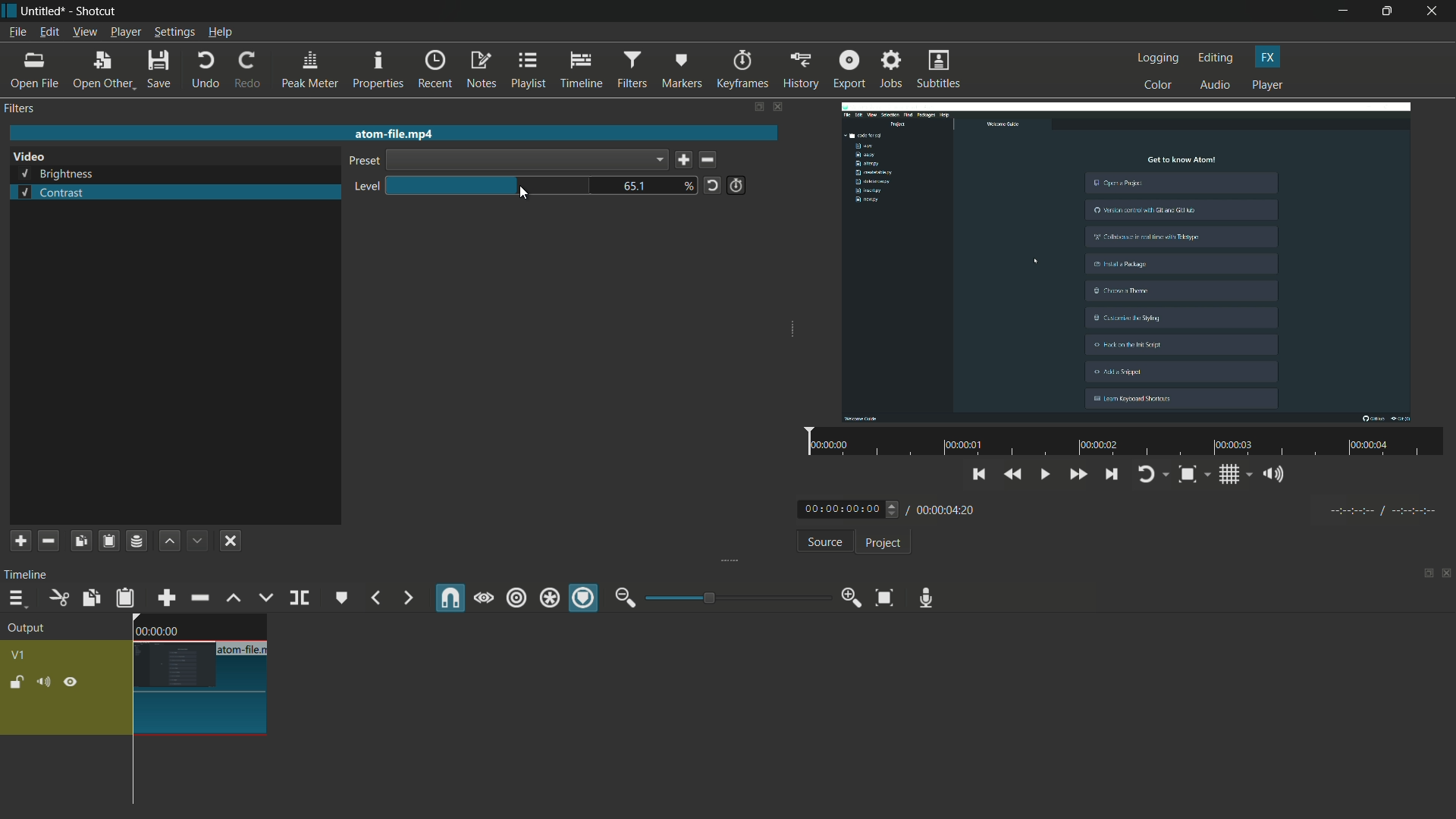 Image resolution: width=1456 pixels, height=819 pixels. Describe the element at coordinates (175, 33) in the screenshot. I see `settings menu` at that location.